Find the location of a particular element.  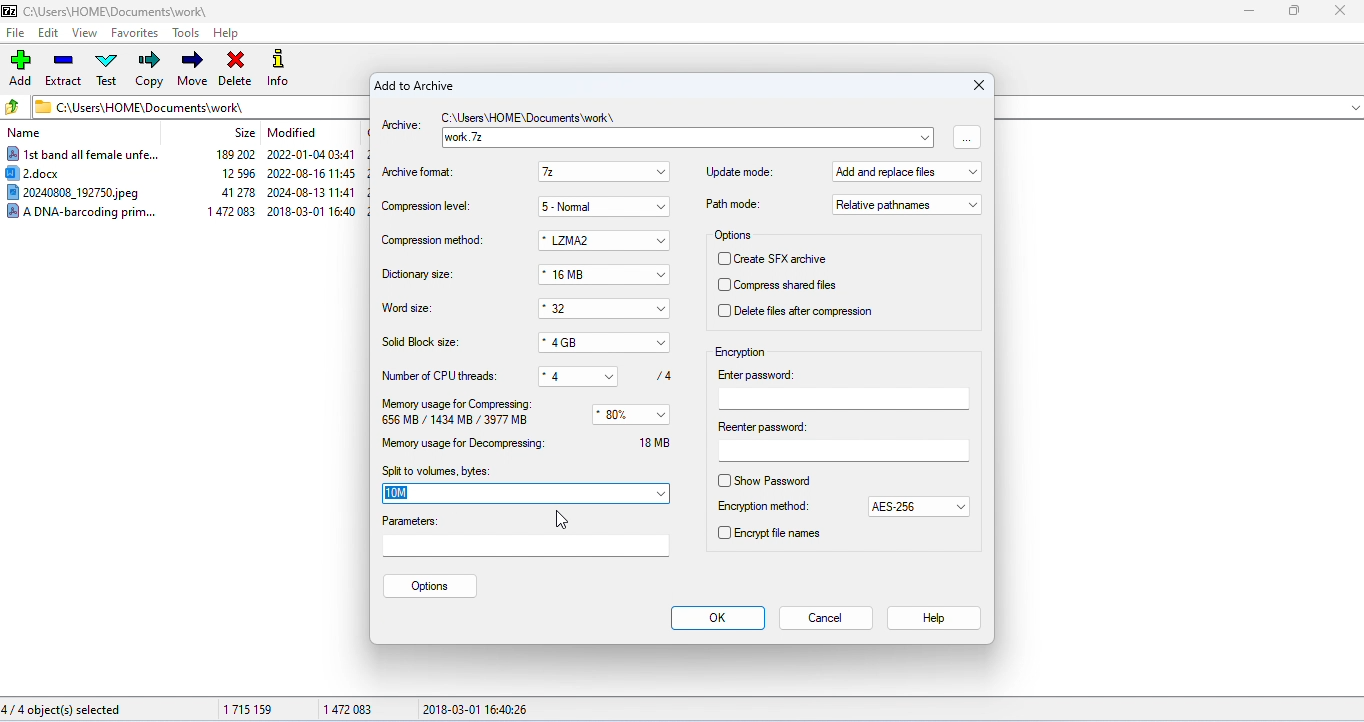

close is located at coordinates (974, 86).